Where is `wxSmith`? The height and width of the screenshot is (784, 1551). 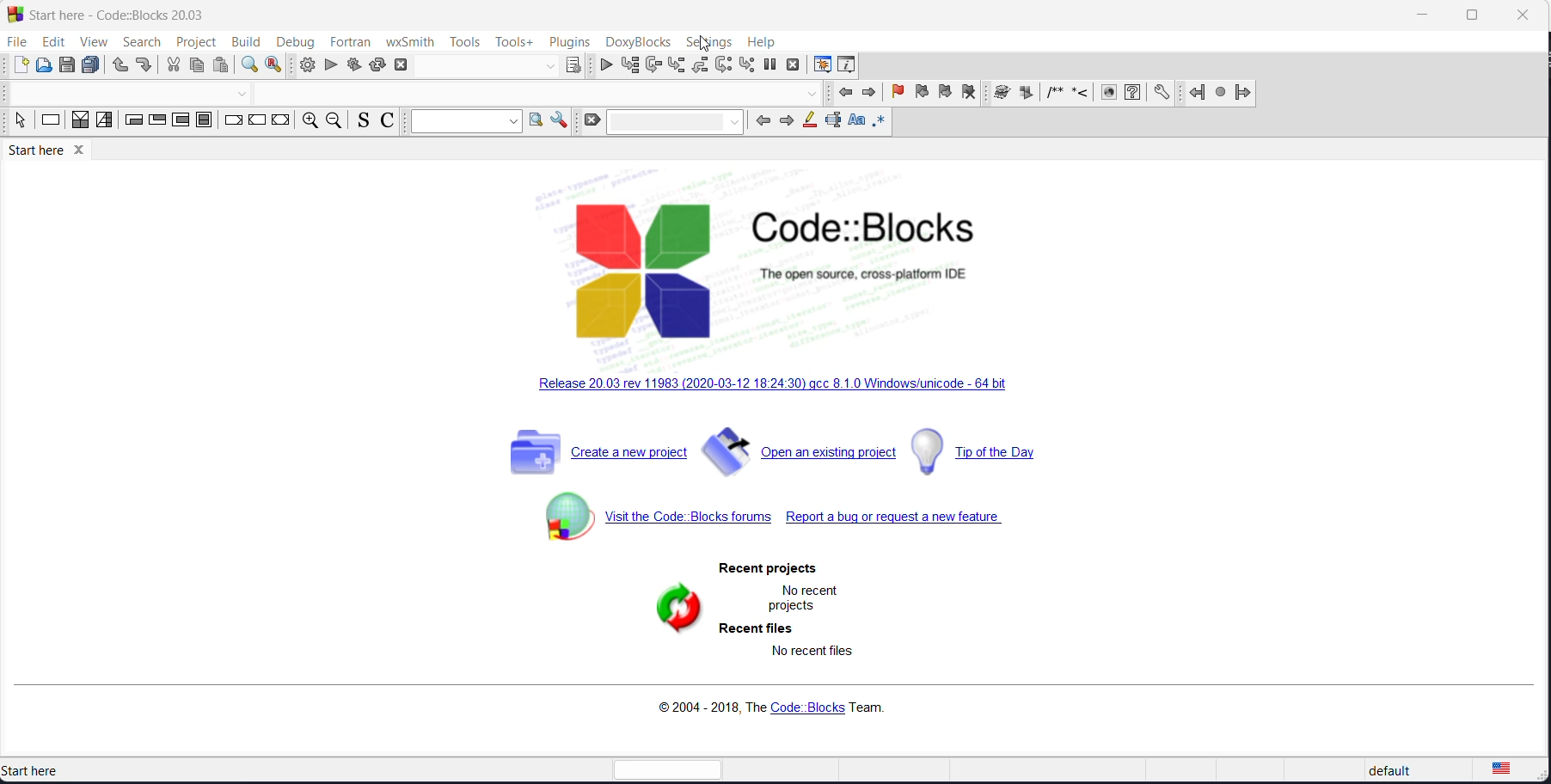
wxSmith is located at coordinates (408, 41).